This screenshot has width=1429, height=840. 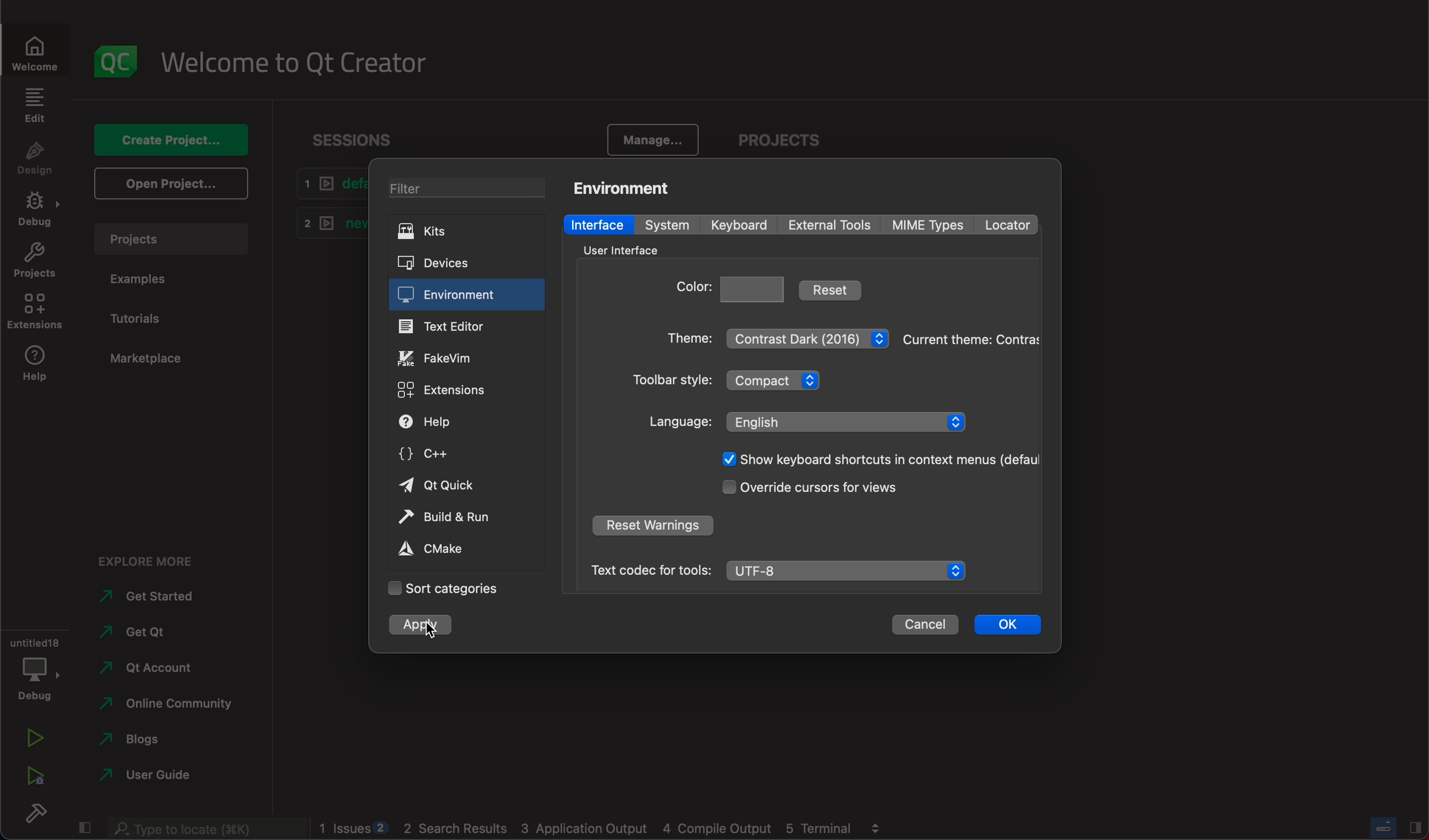 I want to click on kits, so click(x=465, y=233).